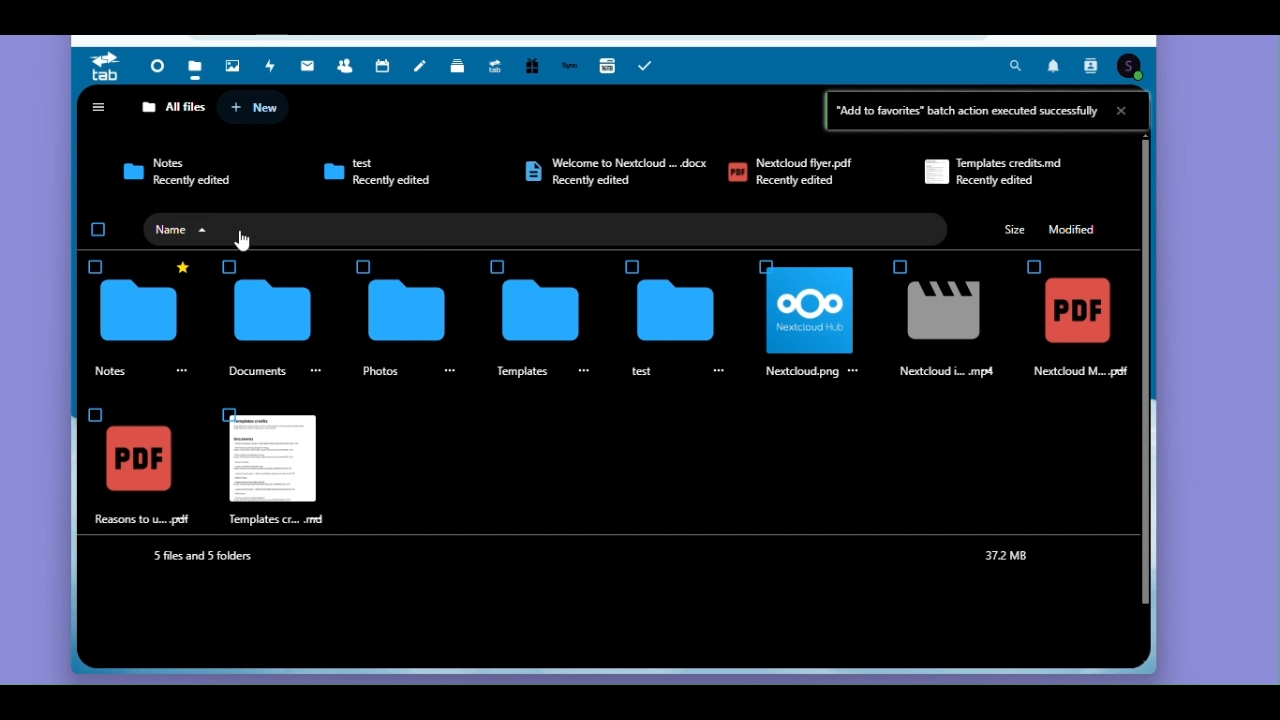 The image size is (1280, 720). What do you see at coordinates (496, 64) in the screenshot?
I see `Upgrade` at bounding box center [496, 64].